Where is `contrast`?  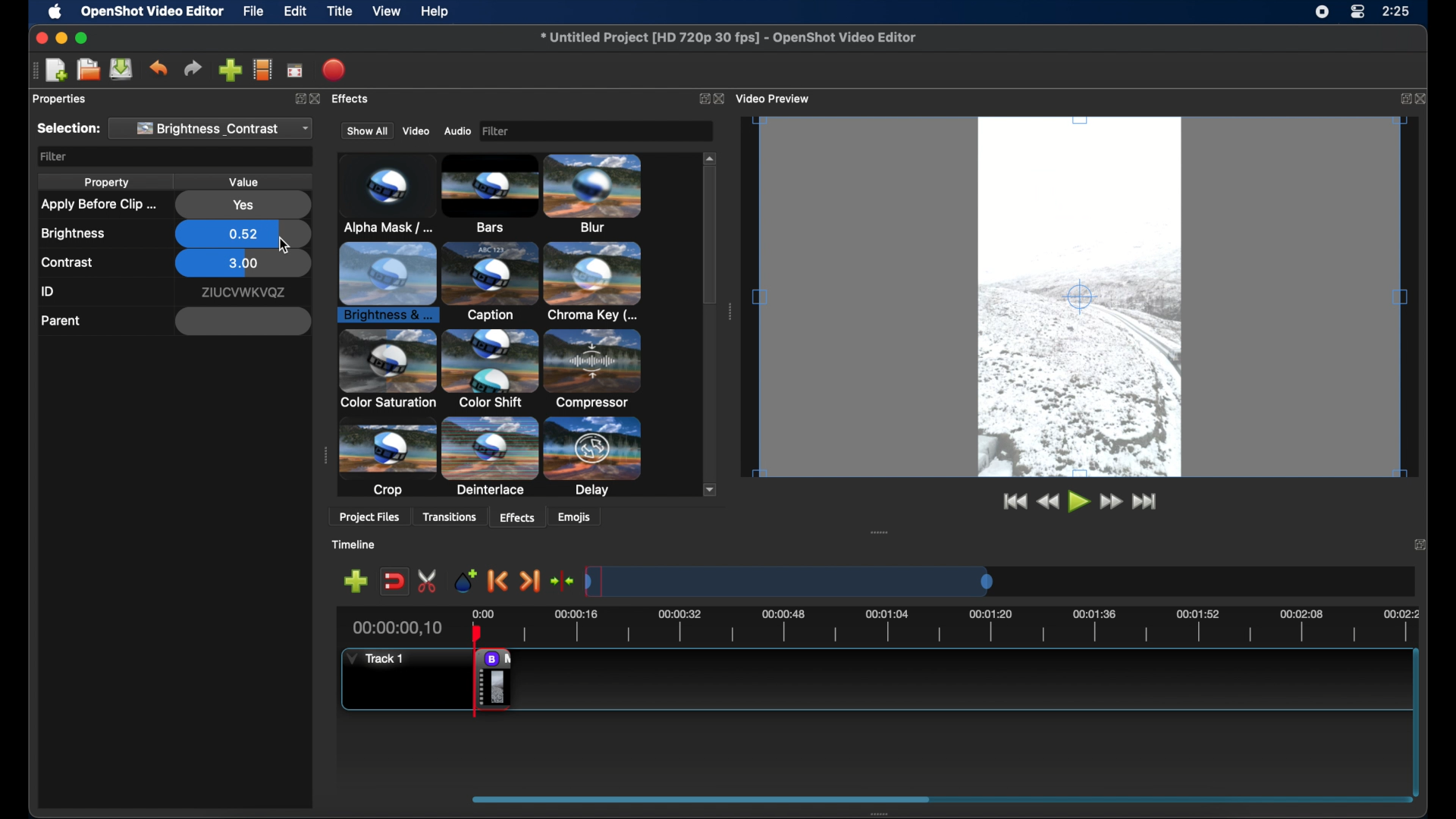
contrast is located at coordinates (67, 263).